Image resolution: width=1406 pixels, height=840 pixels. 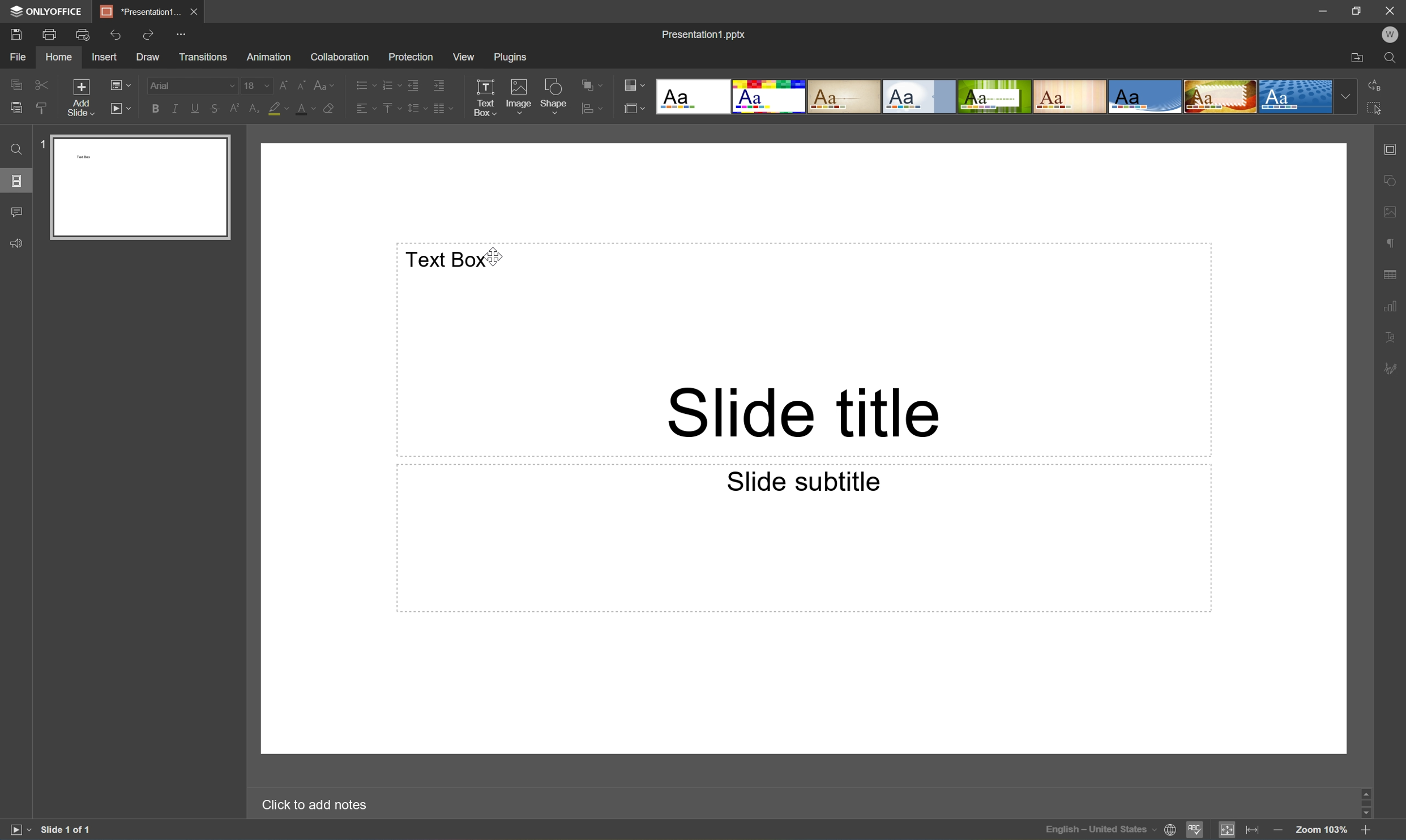 I want to click on Slide 1 of 1, so click(x=66, y=828).